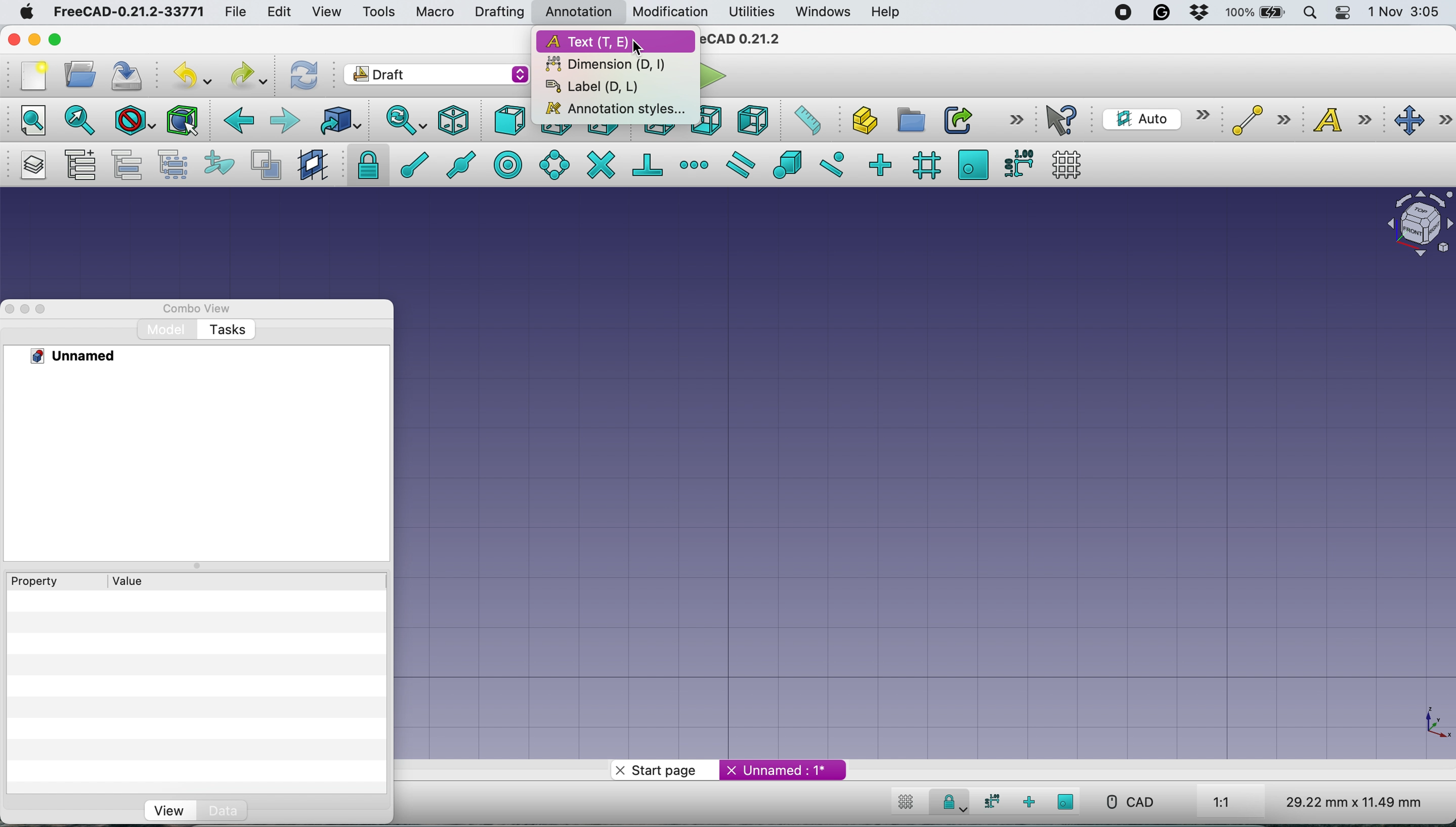  What do you see at coordinates (639, 48) in the screenshot?
I see `cursor` at bounding box center [639, 48].